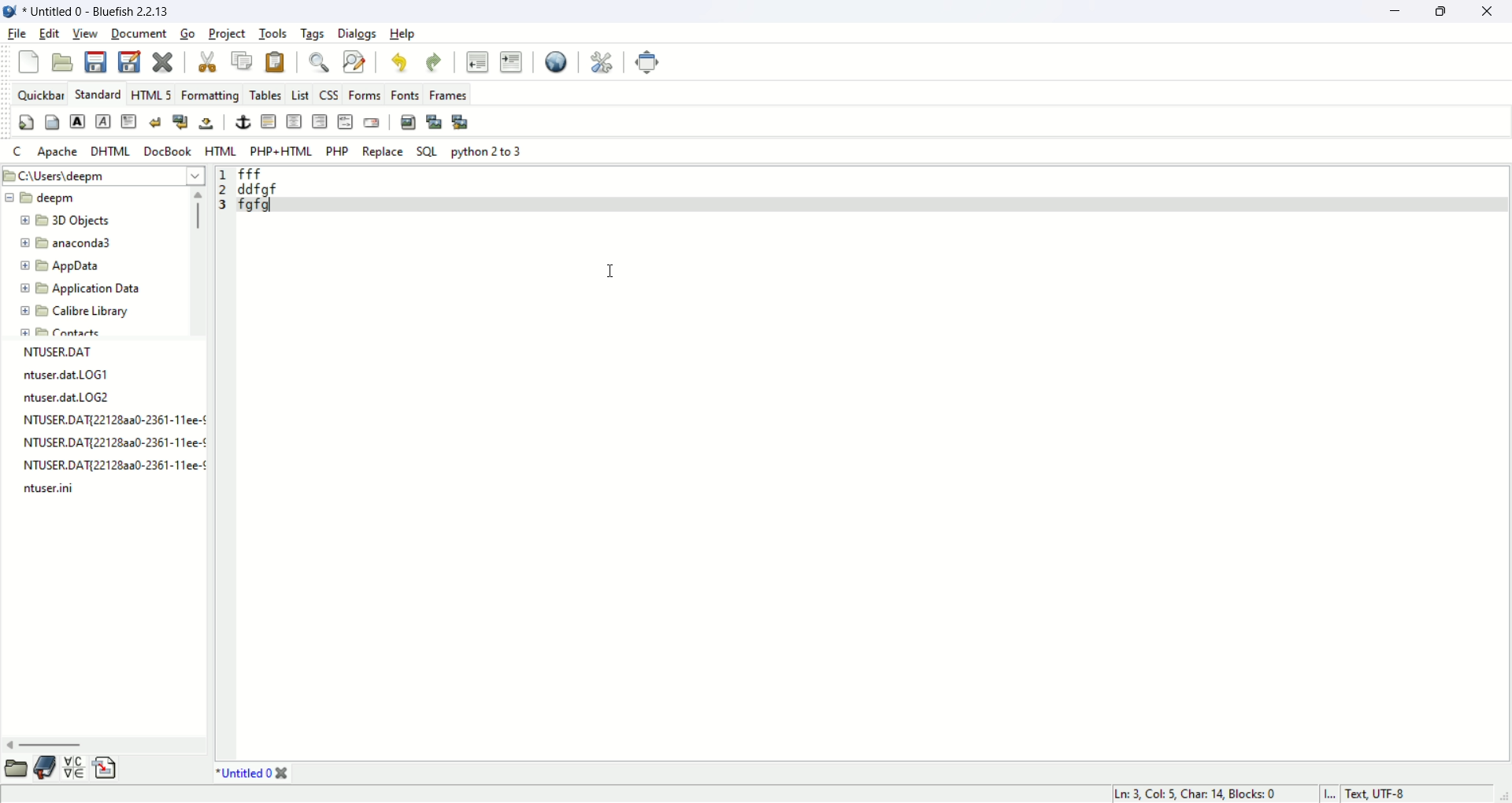 The width and height of the screenshot is (1512, 803). I want to click on paste, so click(276, 64).